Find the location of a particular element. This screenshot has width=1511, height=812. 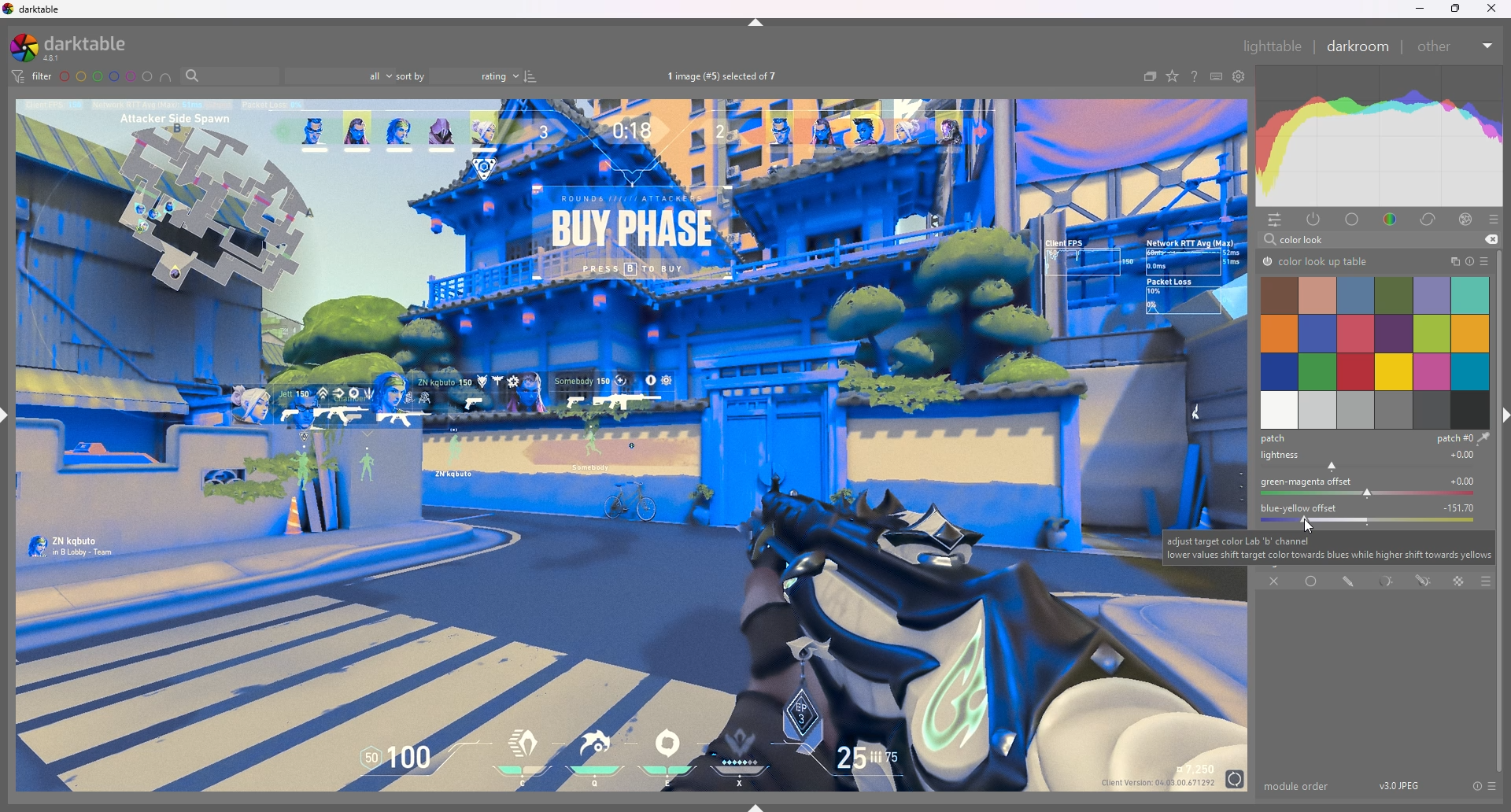

filter is located at coordinates (33, 76).